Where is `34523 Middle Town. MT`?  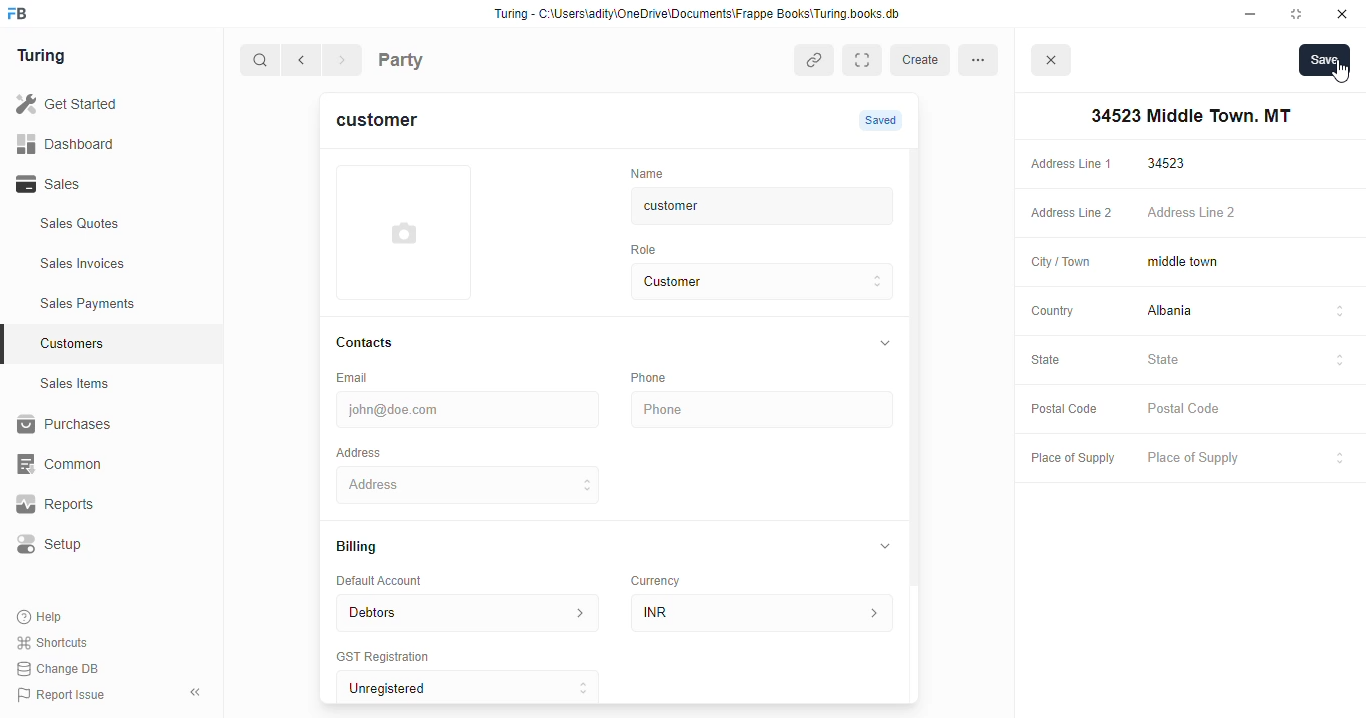 34523 Middle Town. MT is located at coordinates (471, 484).